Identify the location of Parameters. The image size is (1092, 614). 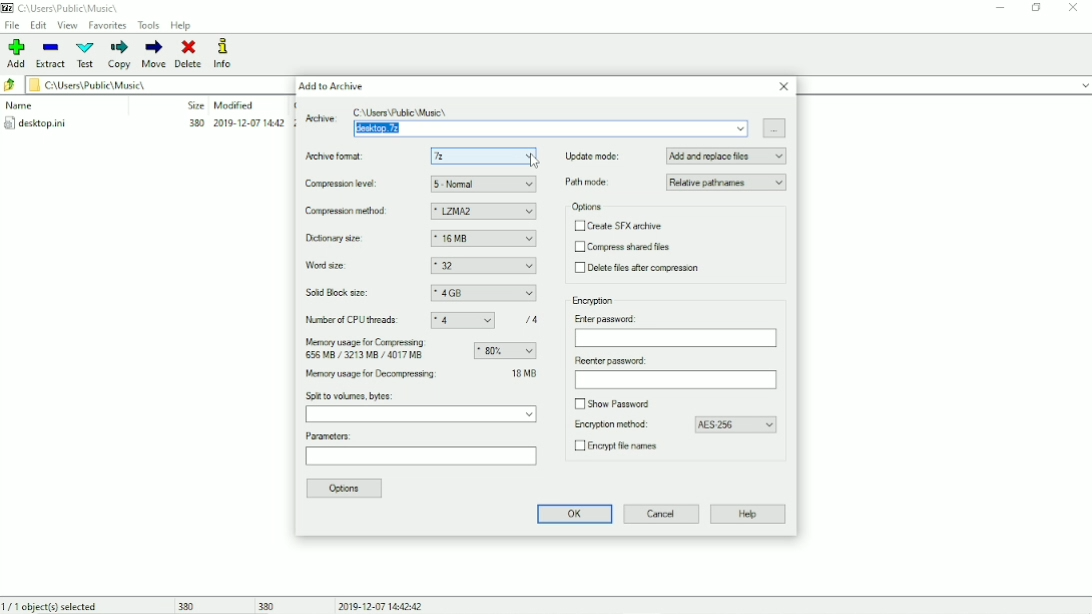
(421, 450).